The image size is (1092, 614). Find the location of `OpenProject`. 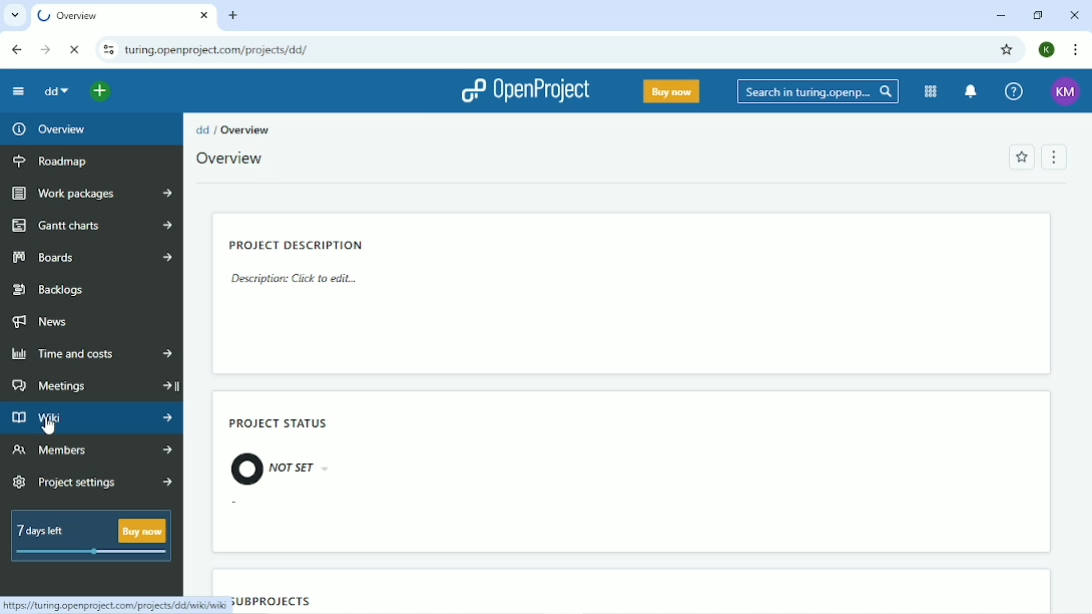

OpenProject is located at coordinates (525, 93).